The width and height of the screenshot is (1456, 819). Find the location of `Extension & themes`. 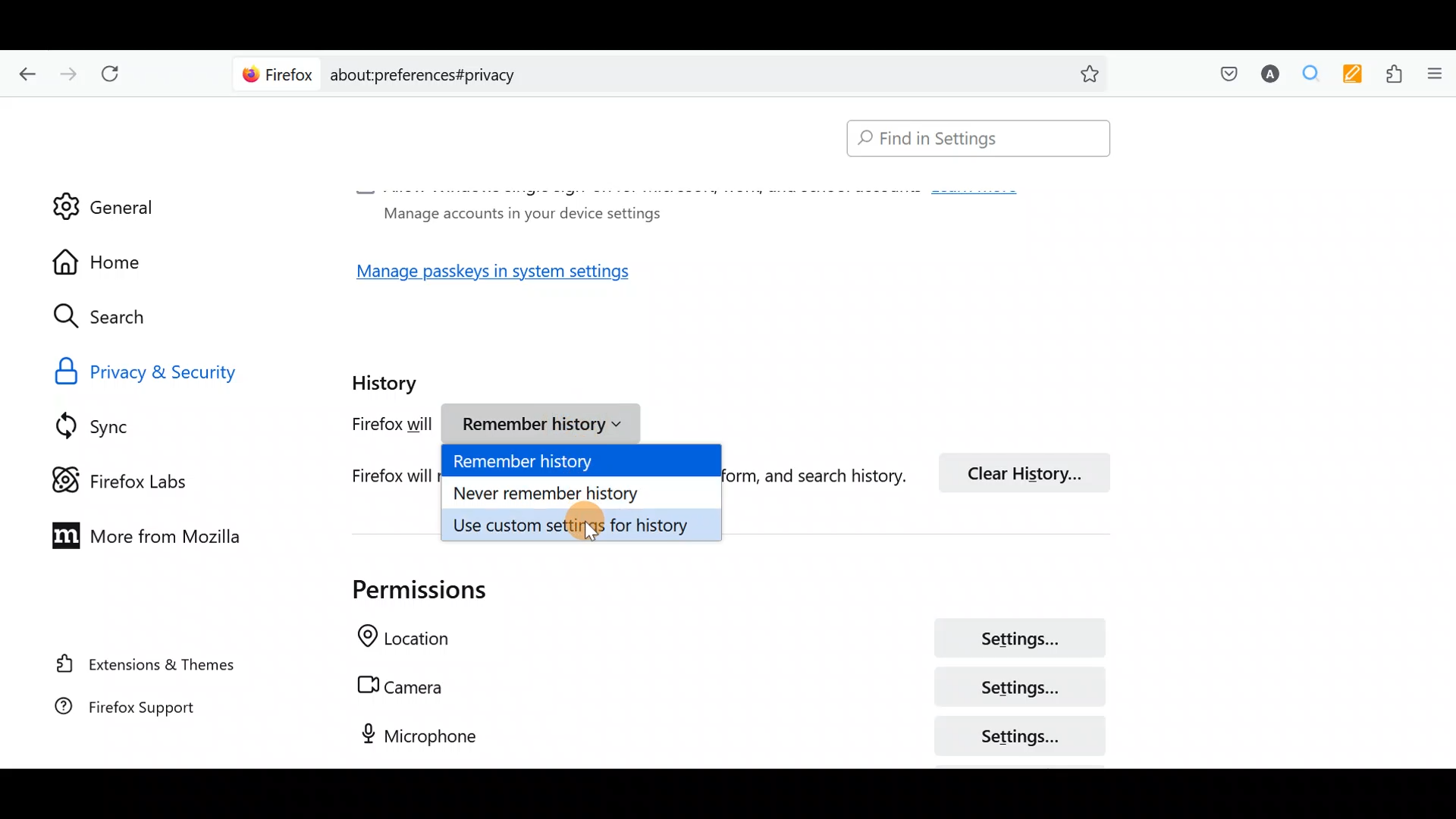

Extension & themes is located at coordinates (149, 667).